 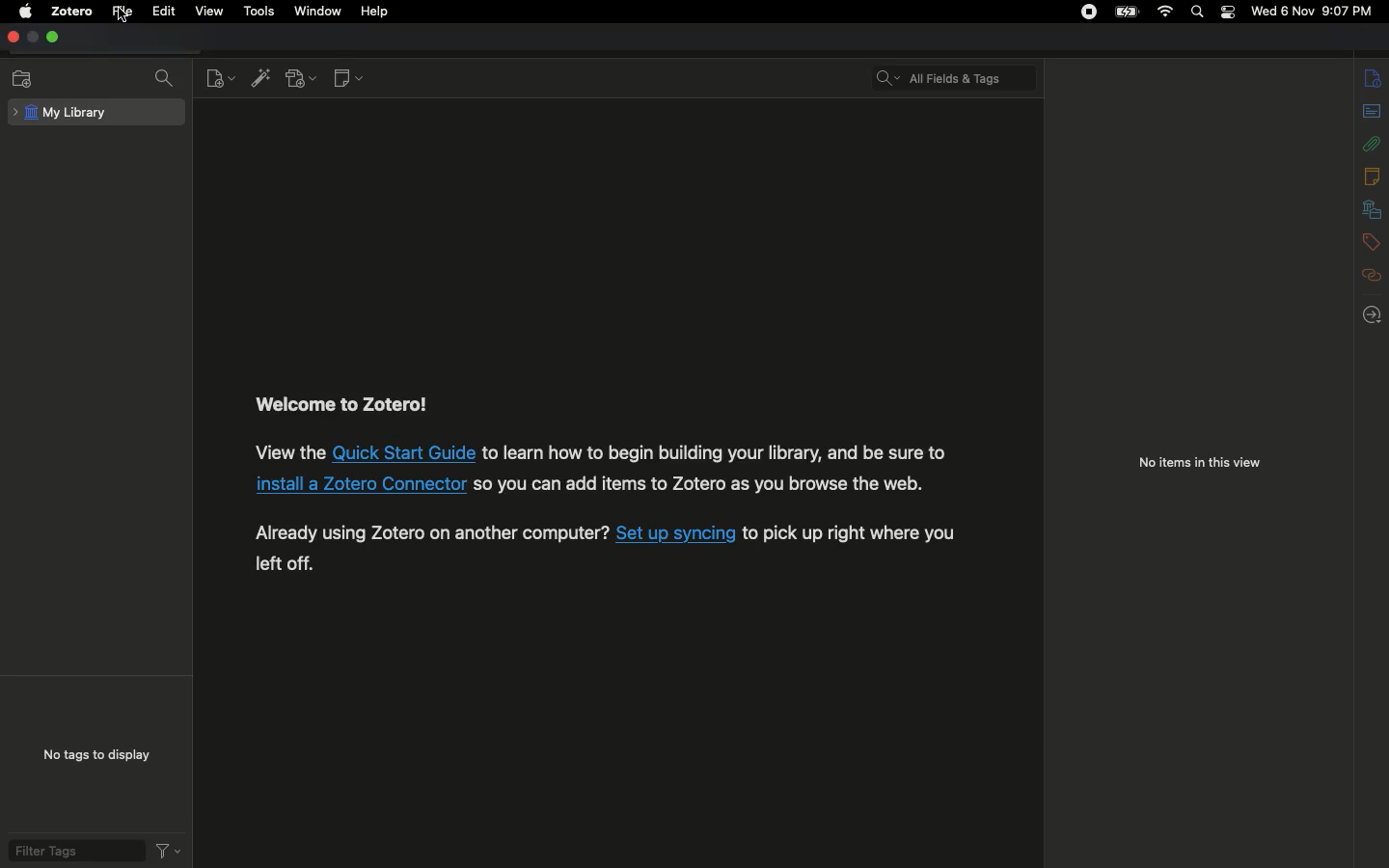 What do you see at coordinates (125, 12) in the screenshot?
I see `File` at bounding box center [125, 12].